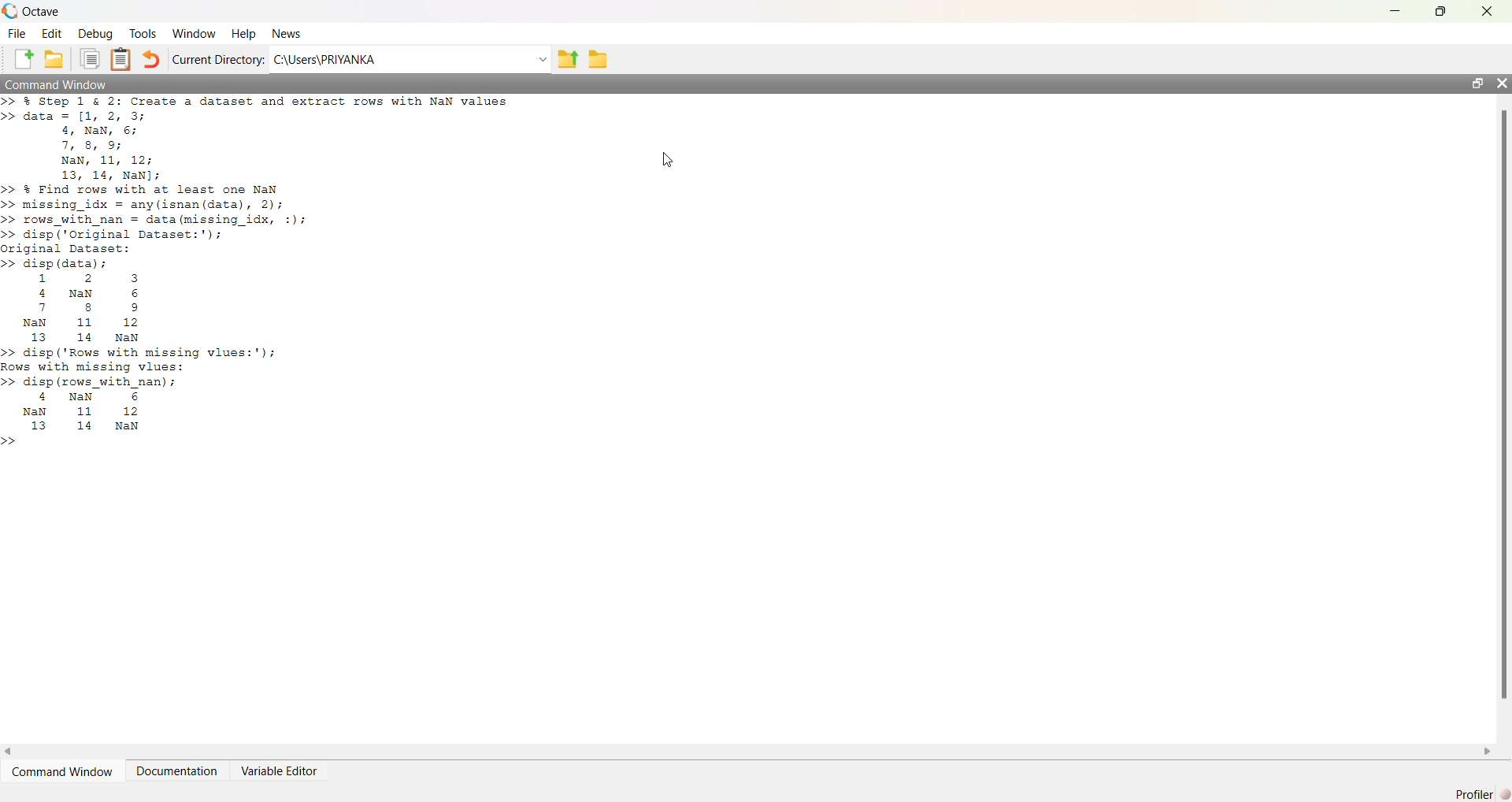  I want to click on logo, so click(9, 11).